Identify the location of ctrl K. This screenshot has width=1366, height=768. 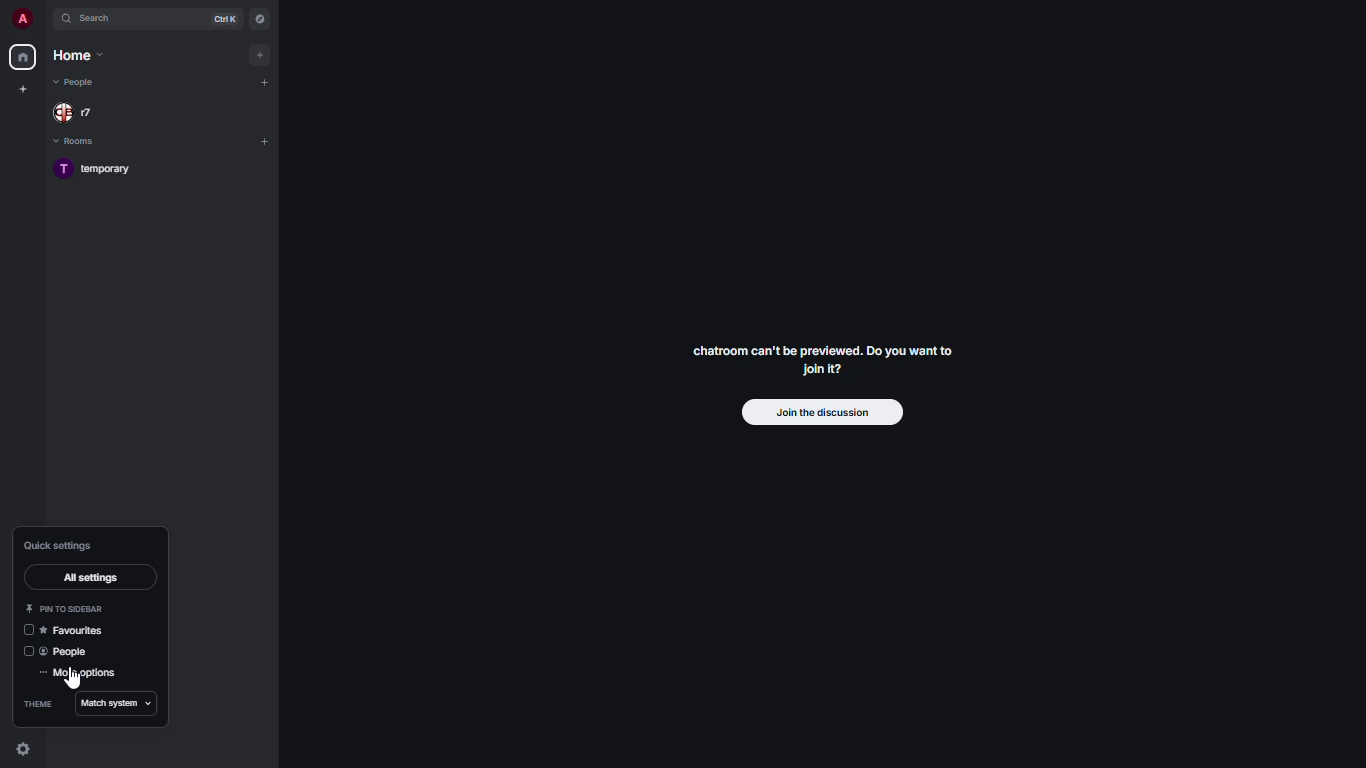
(226, 19).